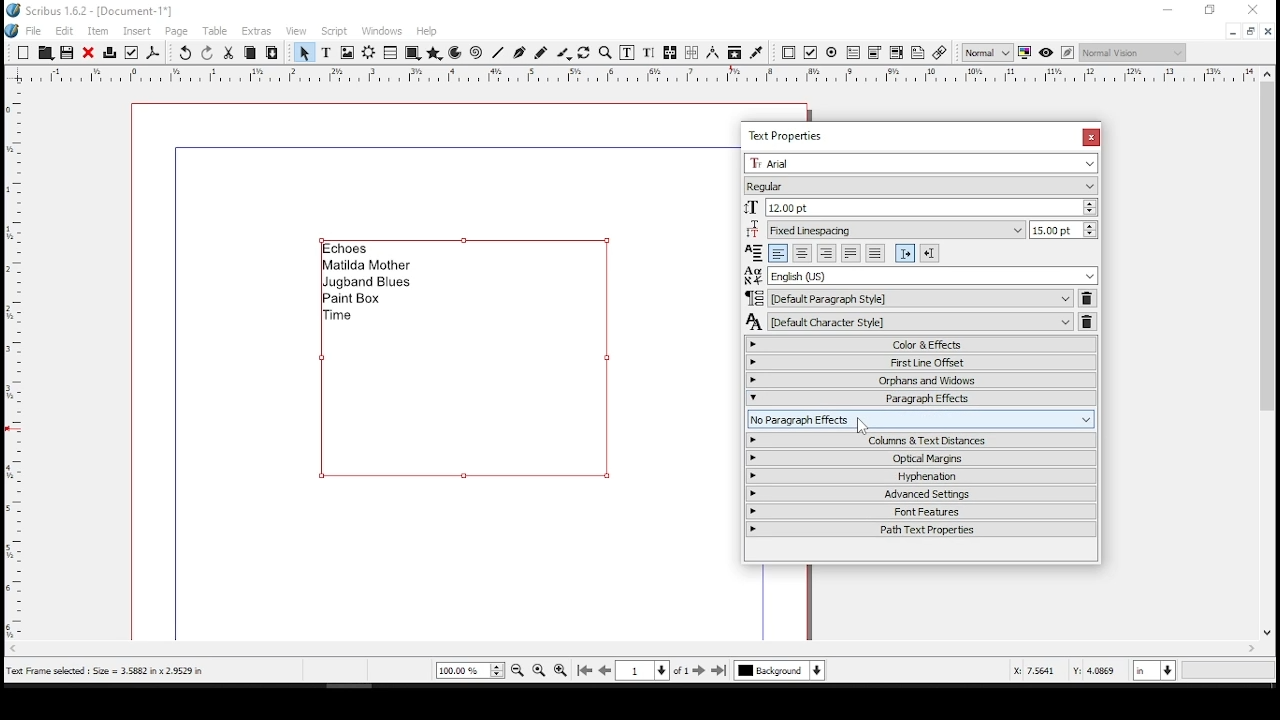 The image size is (1280, 720). What do you see at coordinates (921, 456) in the screenshot?
I see `optical margins` at bounding box center [921, 456].